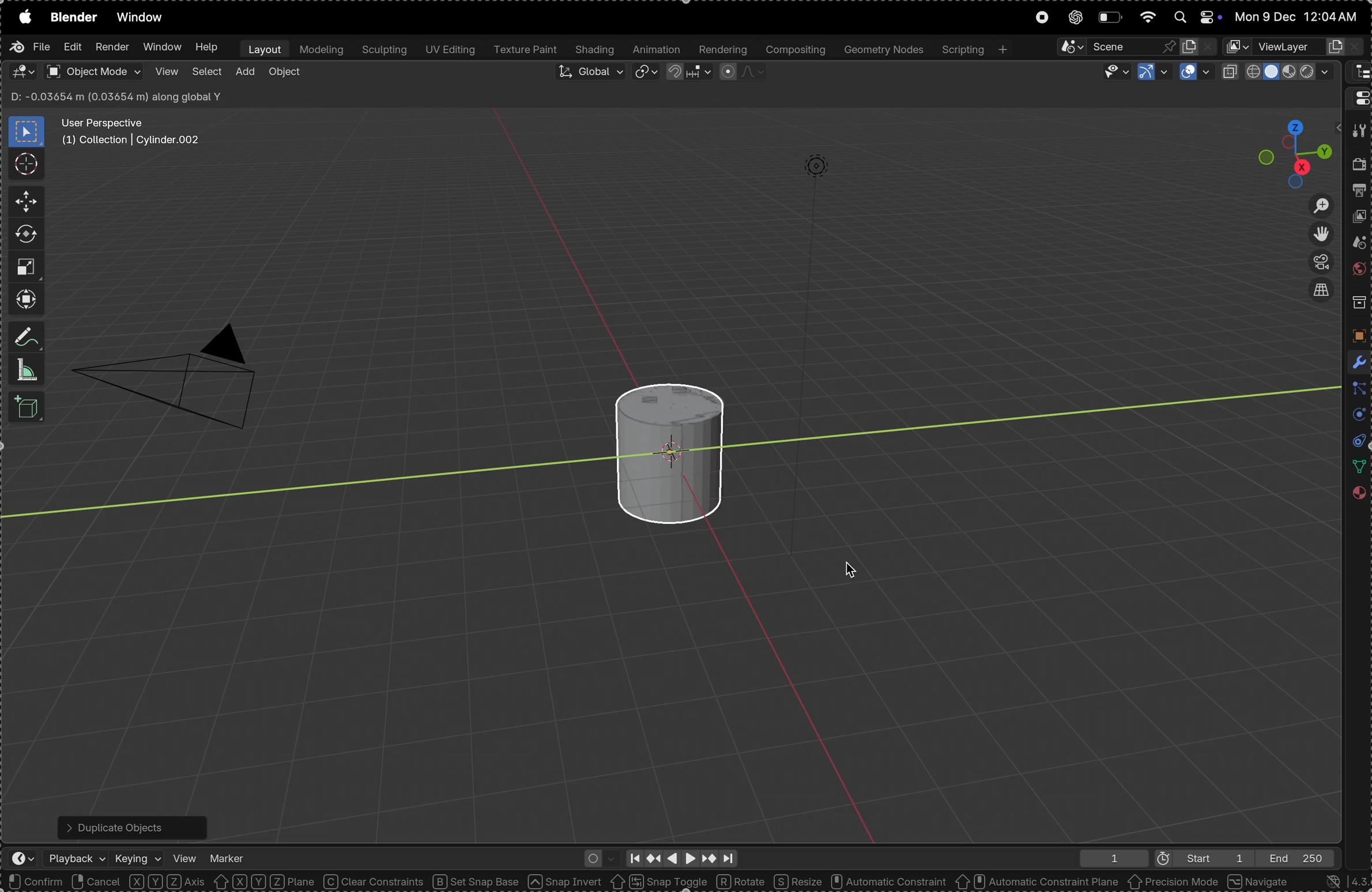 This screenshot has width=1372, height=892. What do you see at coordinates (1358, 497) in the screenshot?
I see `material` at bounding box center [1358, 497].